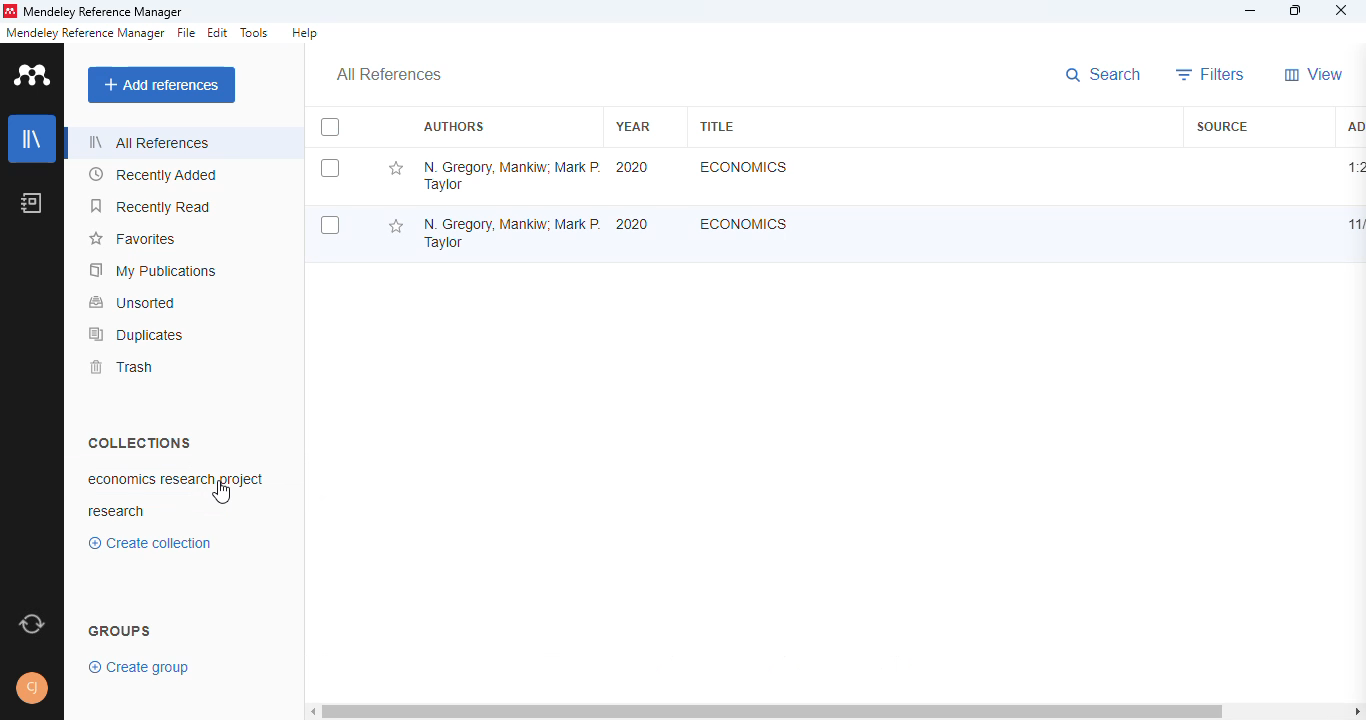 This screenshot has height=720, width=1366. What do you see at coordinates (120, 367) in the screenshot?
I see `trash` at bounding box center [120, 367].